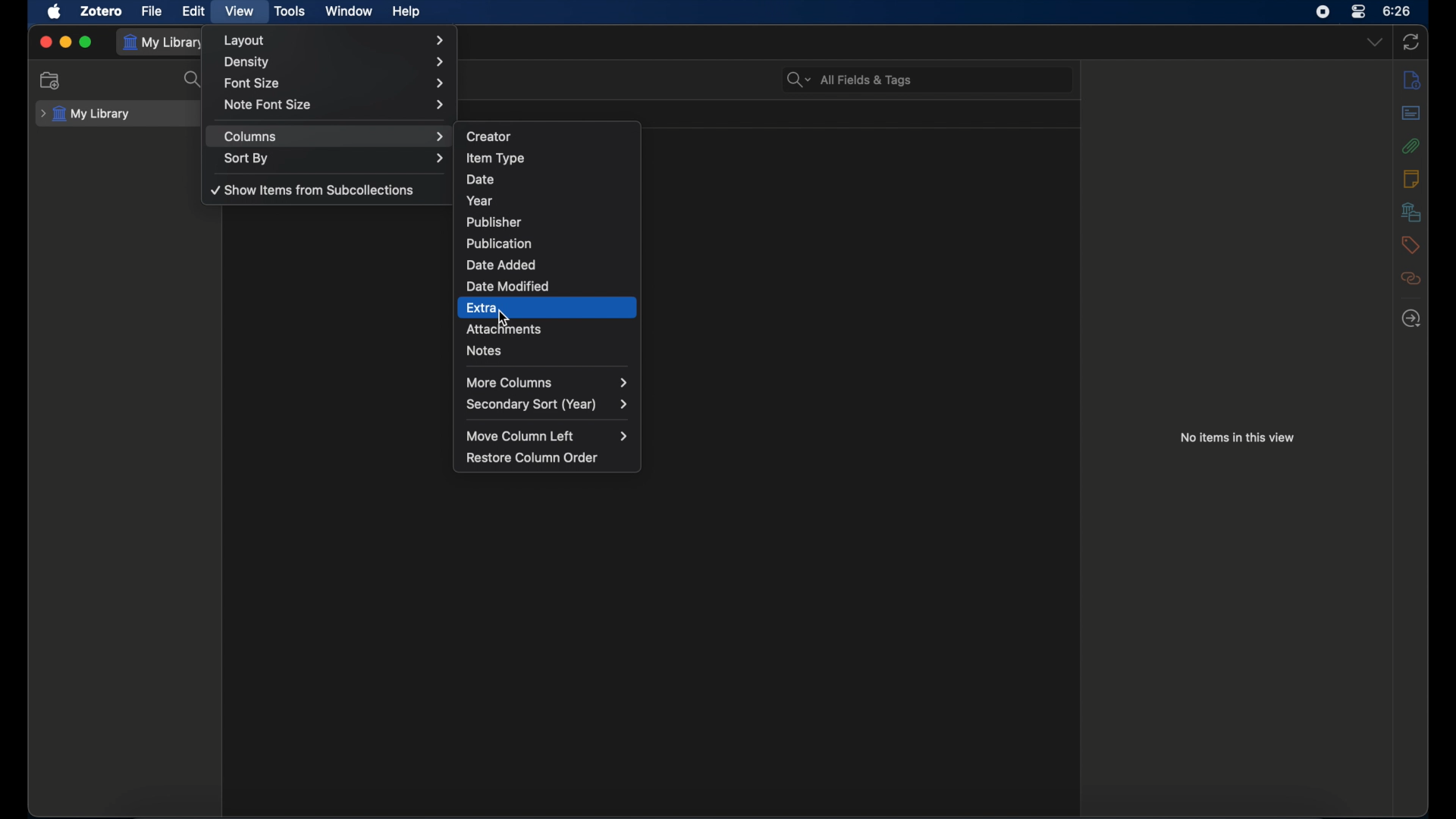 The height and width of the screenshot is (819, 1456). What do you see at coordinates (334, 105) in the screenshot?
I see `note font size` at bounding box center [334, 105].